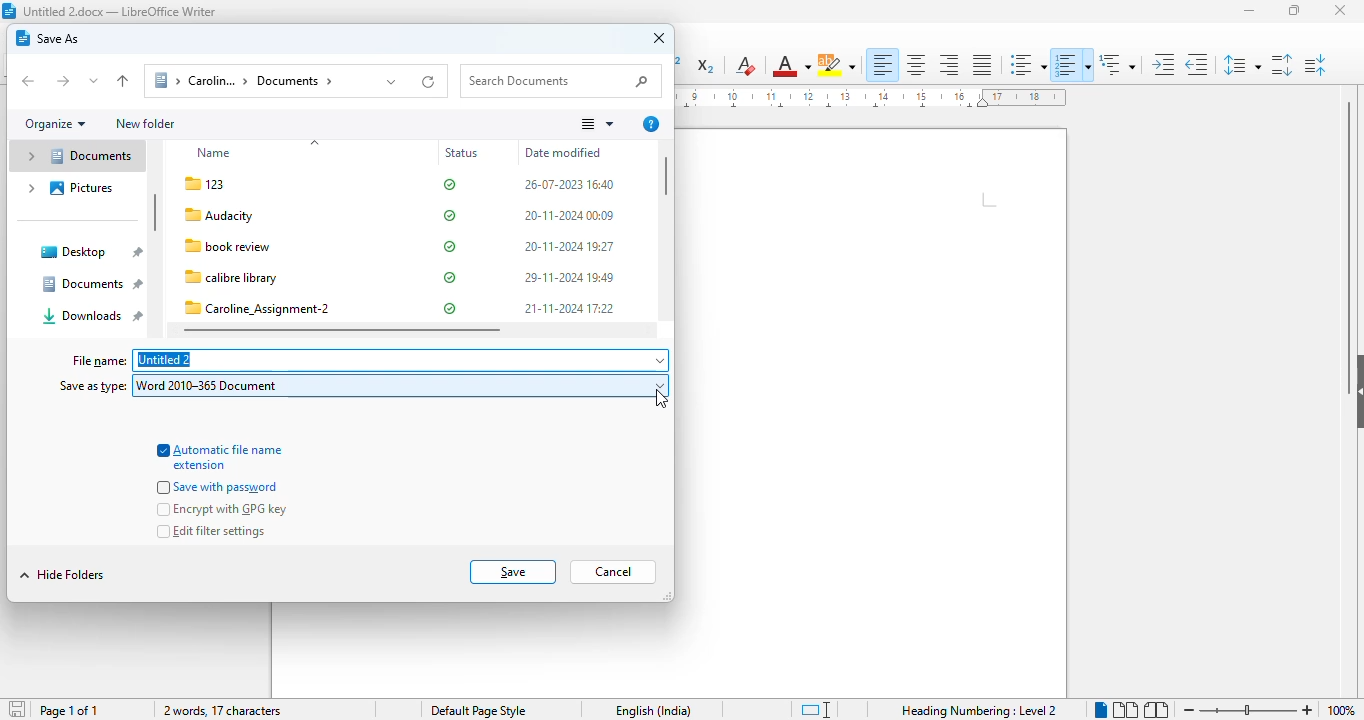  Describe the element at coordinates (450, 246) in the screenshot. I see `status` at that location.